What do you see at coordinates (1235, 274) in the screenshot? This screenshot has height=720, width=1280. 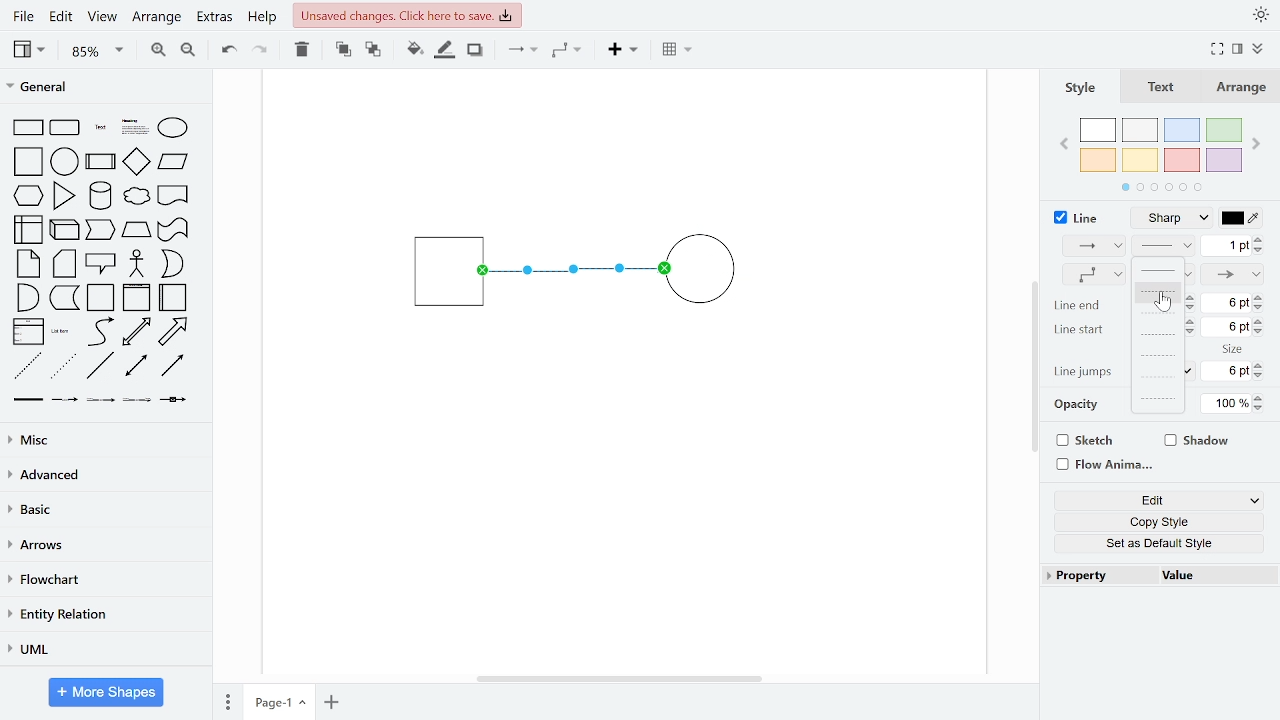 I see `line end` at bounding box center [1235, 274].